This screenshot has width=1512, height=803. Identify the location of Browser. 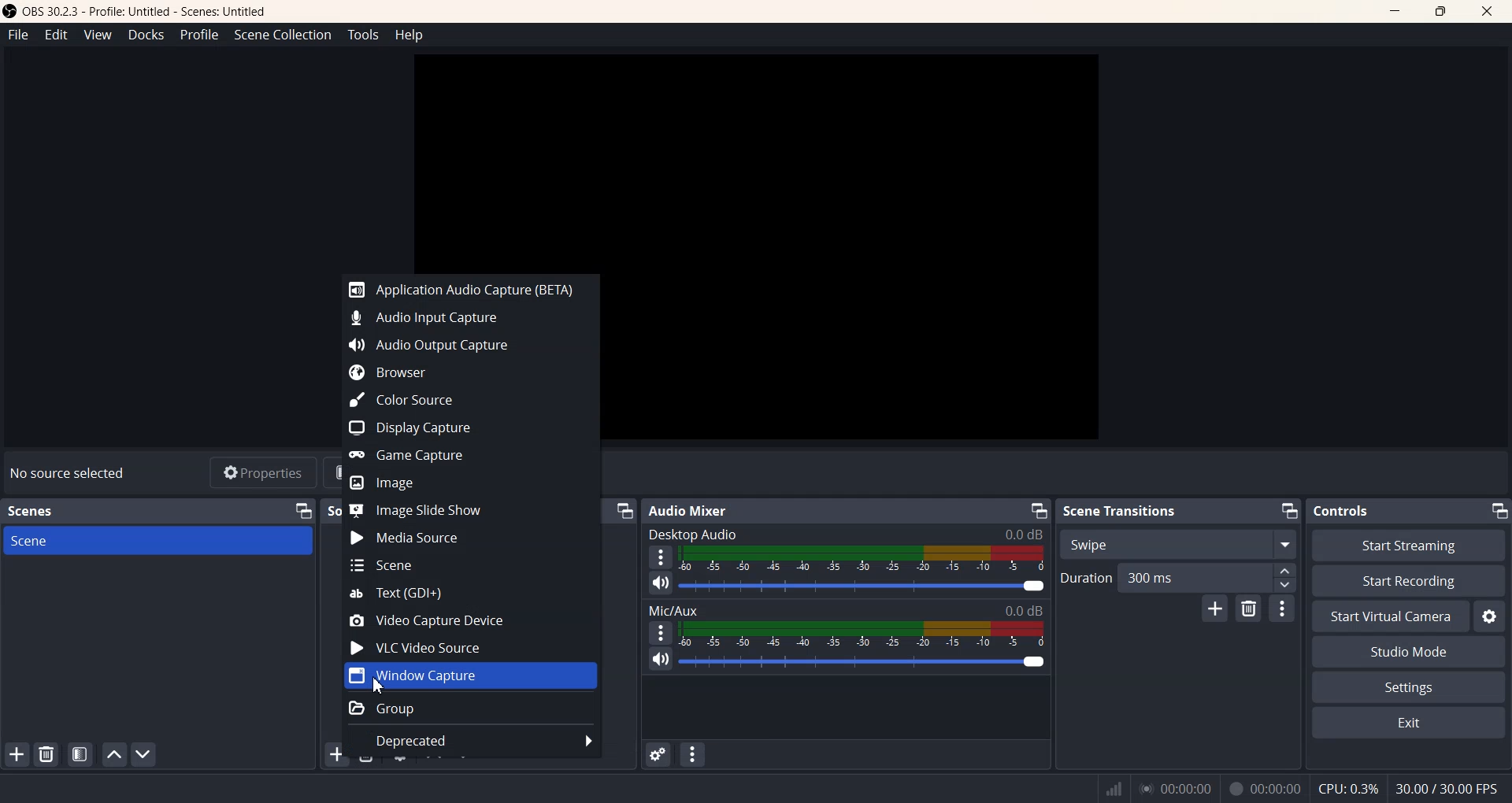
(466, 372).